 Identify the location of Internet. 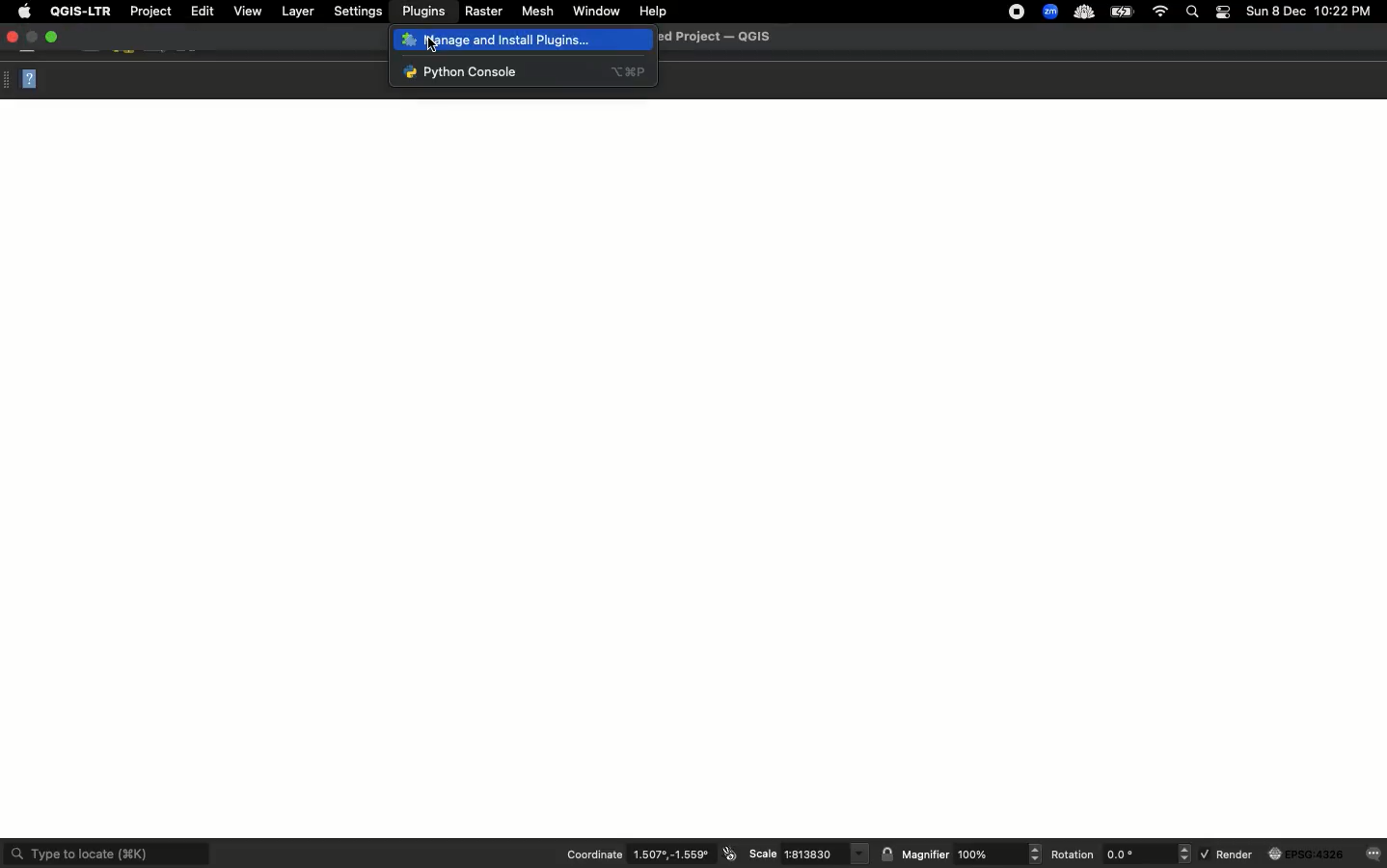
(1159, 11).